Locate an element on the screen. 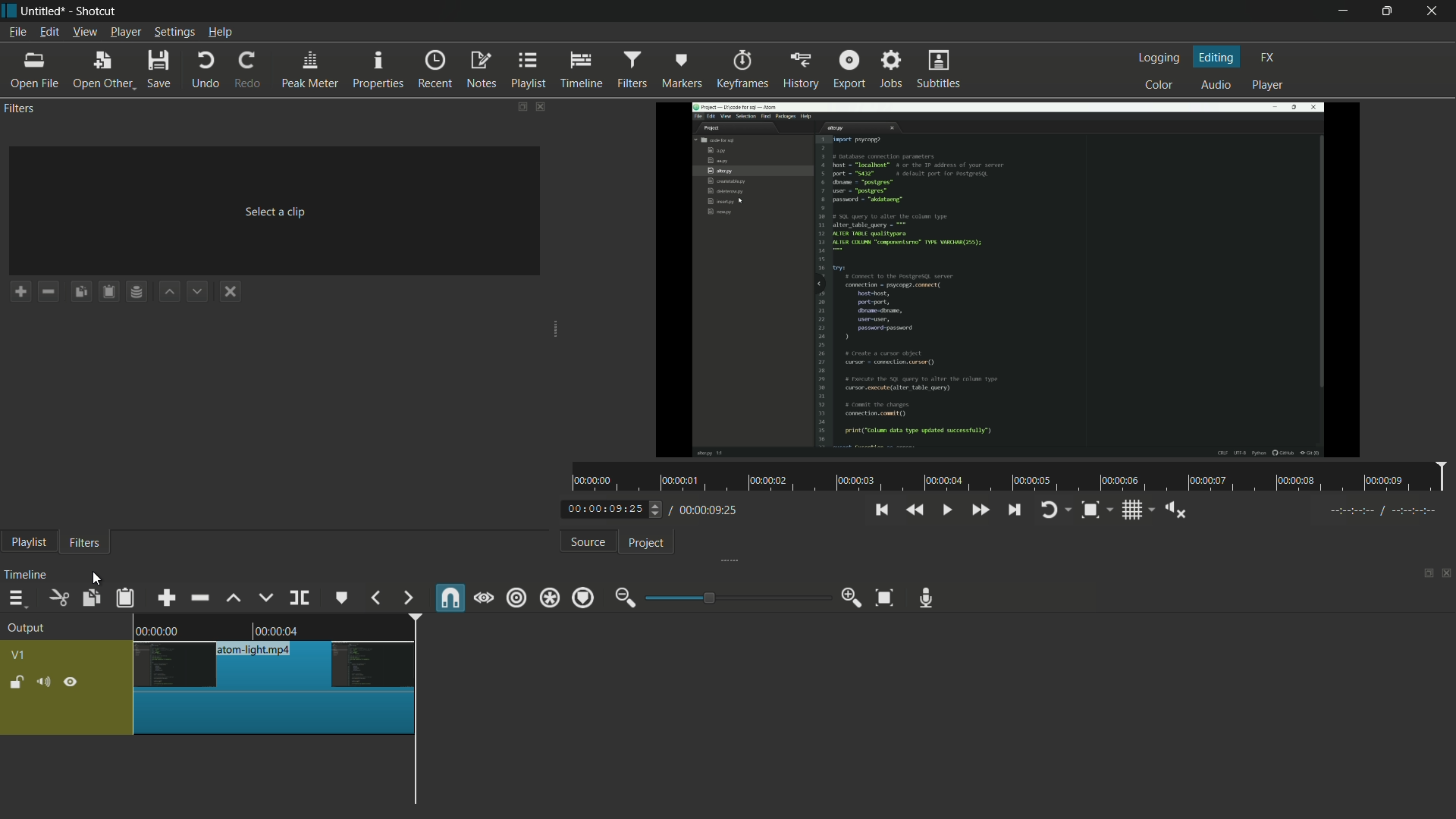 Image resolution: width=1456 pixels, height=819 pixels. paste filters is located at coordinates (111, 291).